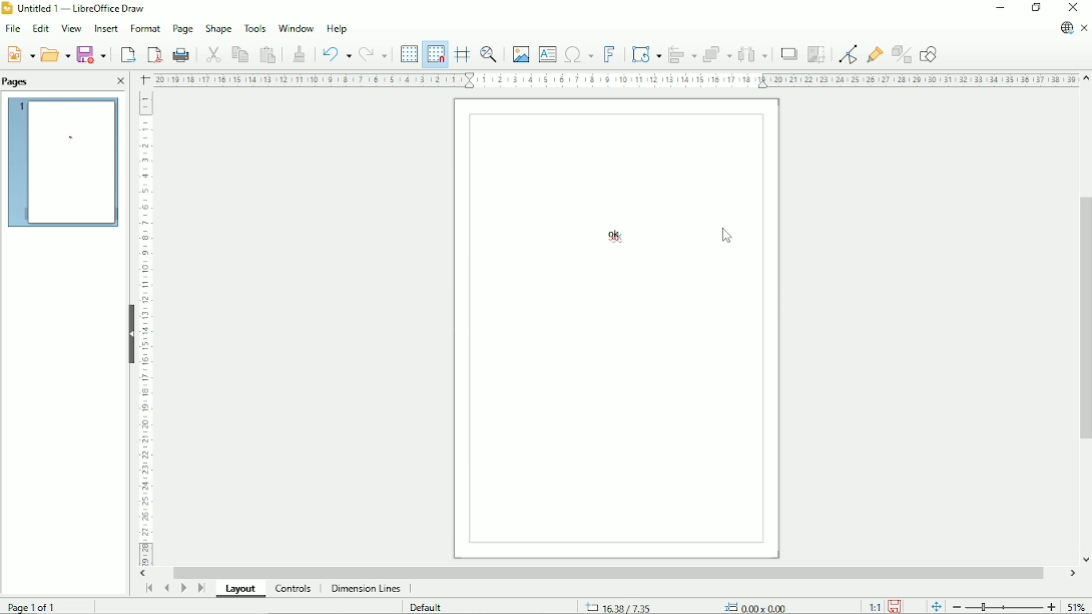 This screenshot has height=614, width=1092. Describe the element at coordinates (145, 574) in the screenshot. I see `Horizontal scroll button` at that location.